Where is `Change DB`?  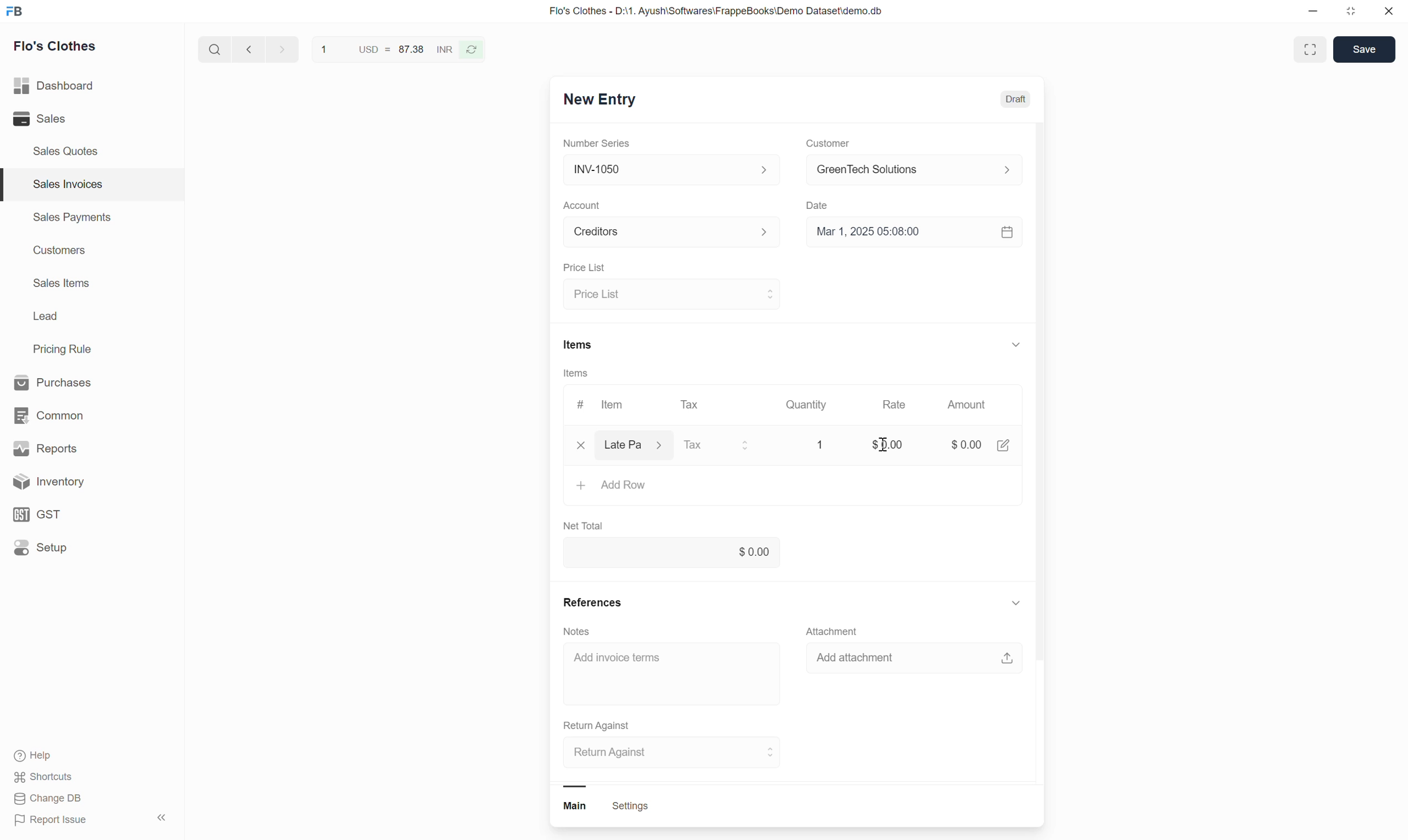
Change DB is located at coordinates (50, 800).